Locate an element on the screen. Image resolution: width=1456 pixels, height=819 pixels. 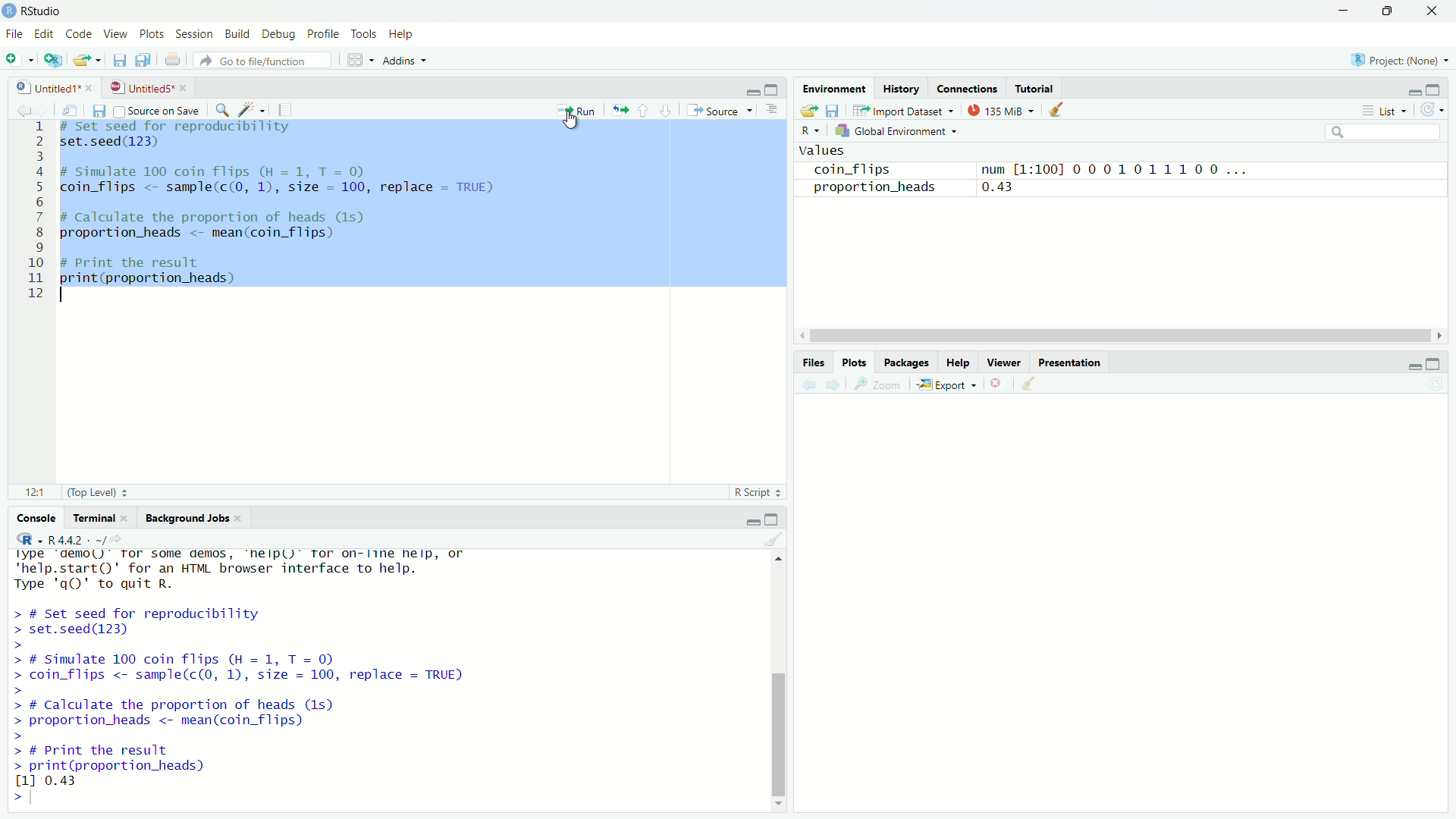
go back to the previous source location is located at coordinates (15, 108).